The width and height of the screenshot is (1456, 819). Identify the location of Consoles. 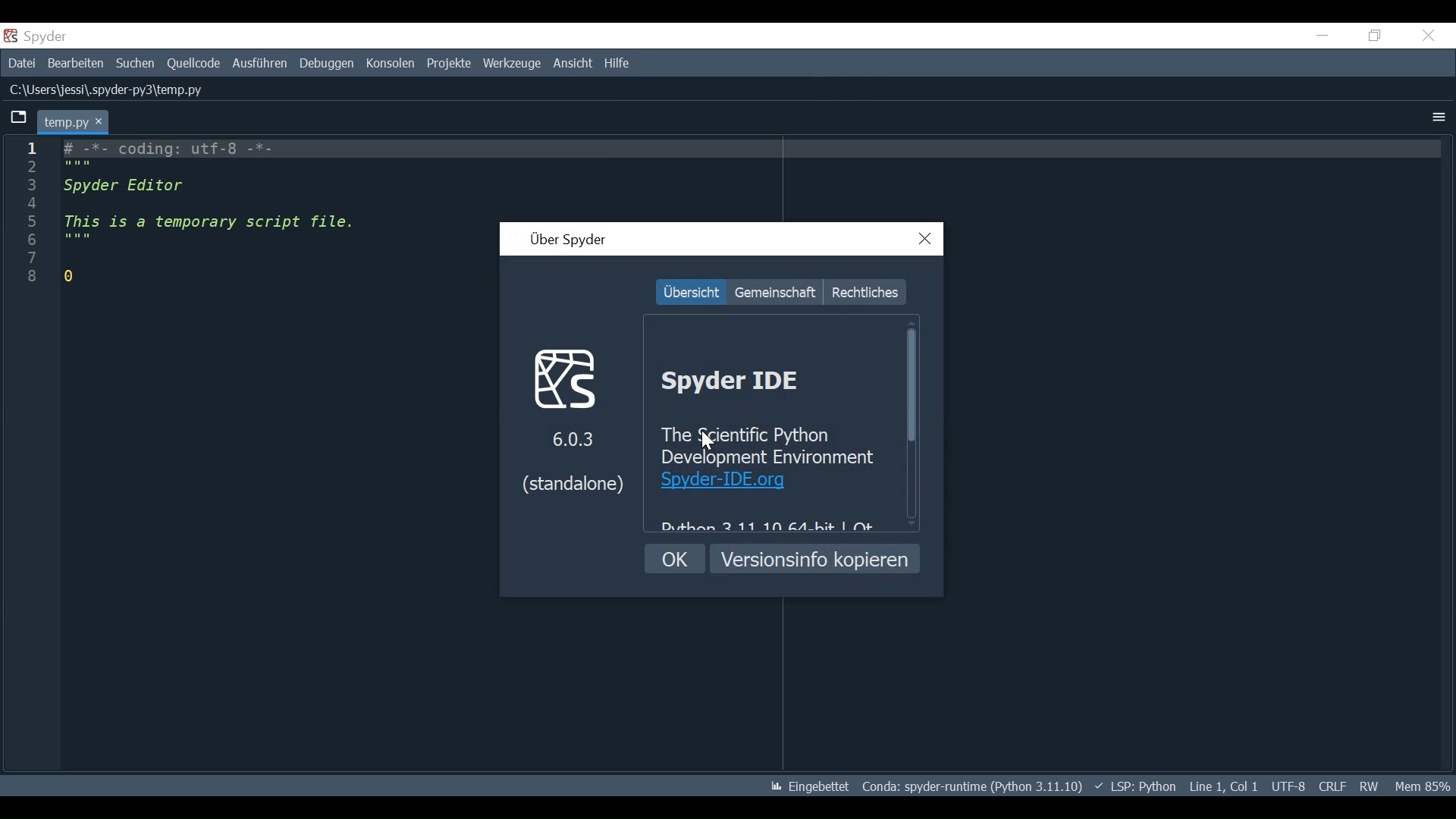
(389, 65).